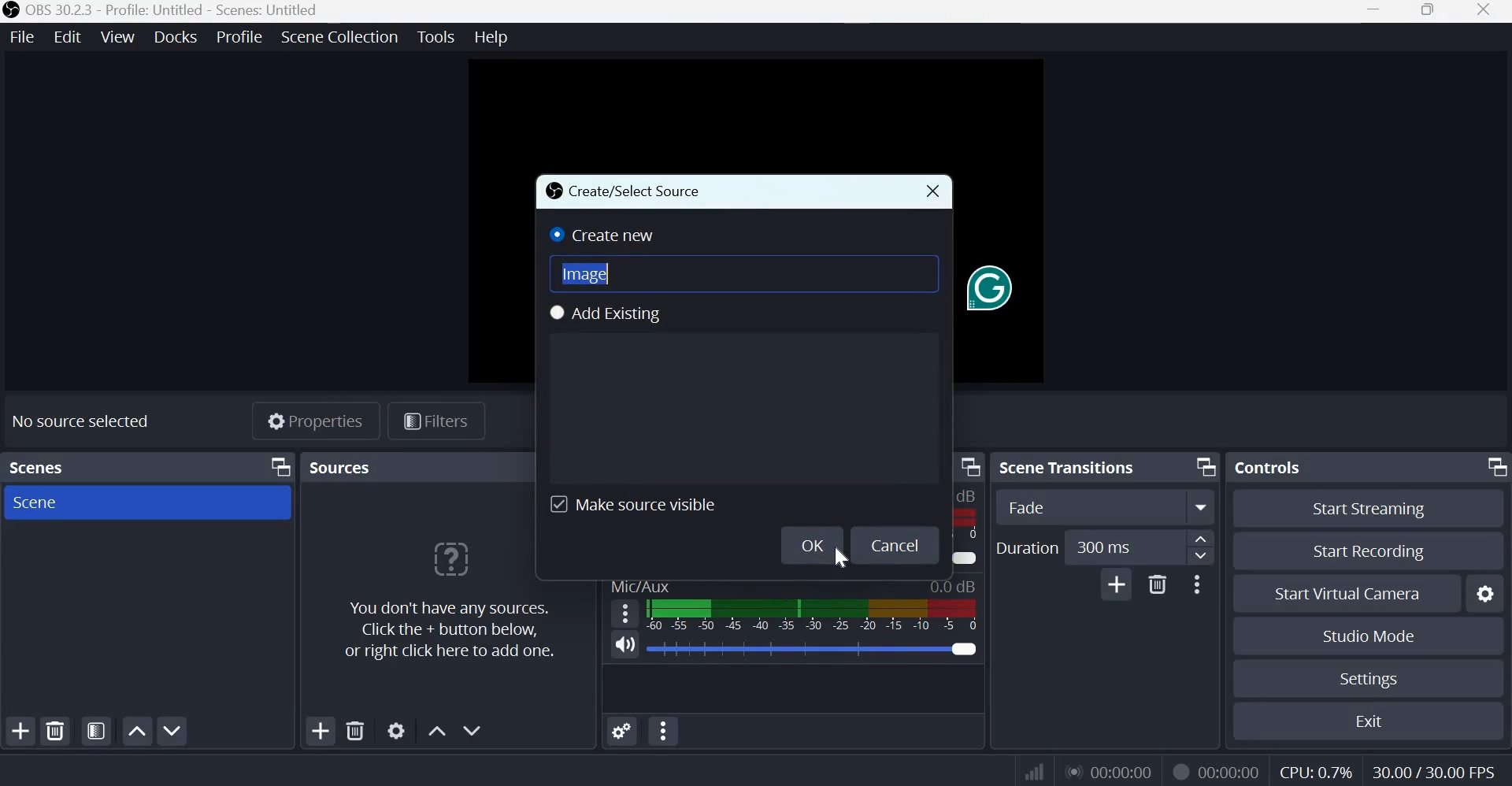 This screenshot has height=786, width=1512. What do you see at coordinates (1370, 719) in the screenshot?
I see `Exit` at bounding box center [1370, 719].